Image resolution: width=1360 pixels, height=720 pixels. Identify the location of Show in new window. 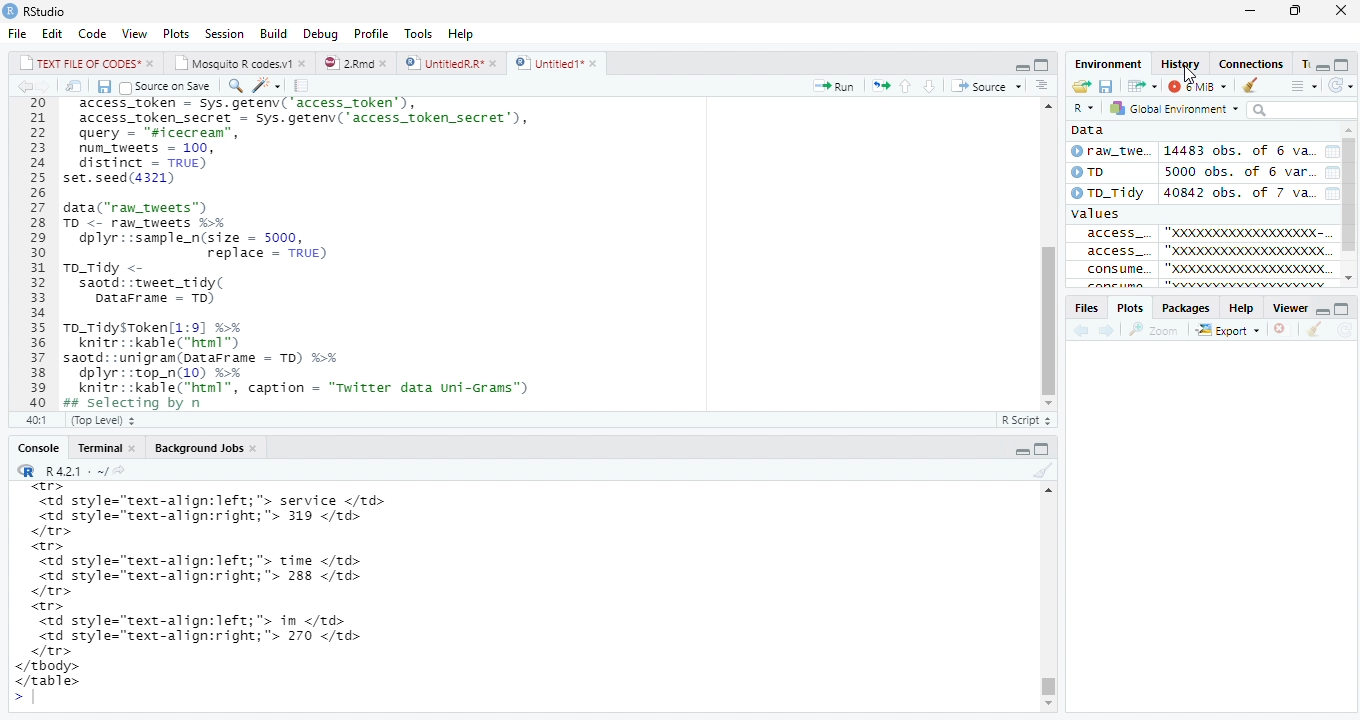
(1137, 86).